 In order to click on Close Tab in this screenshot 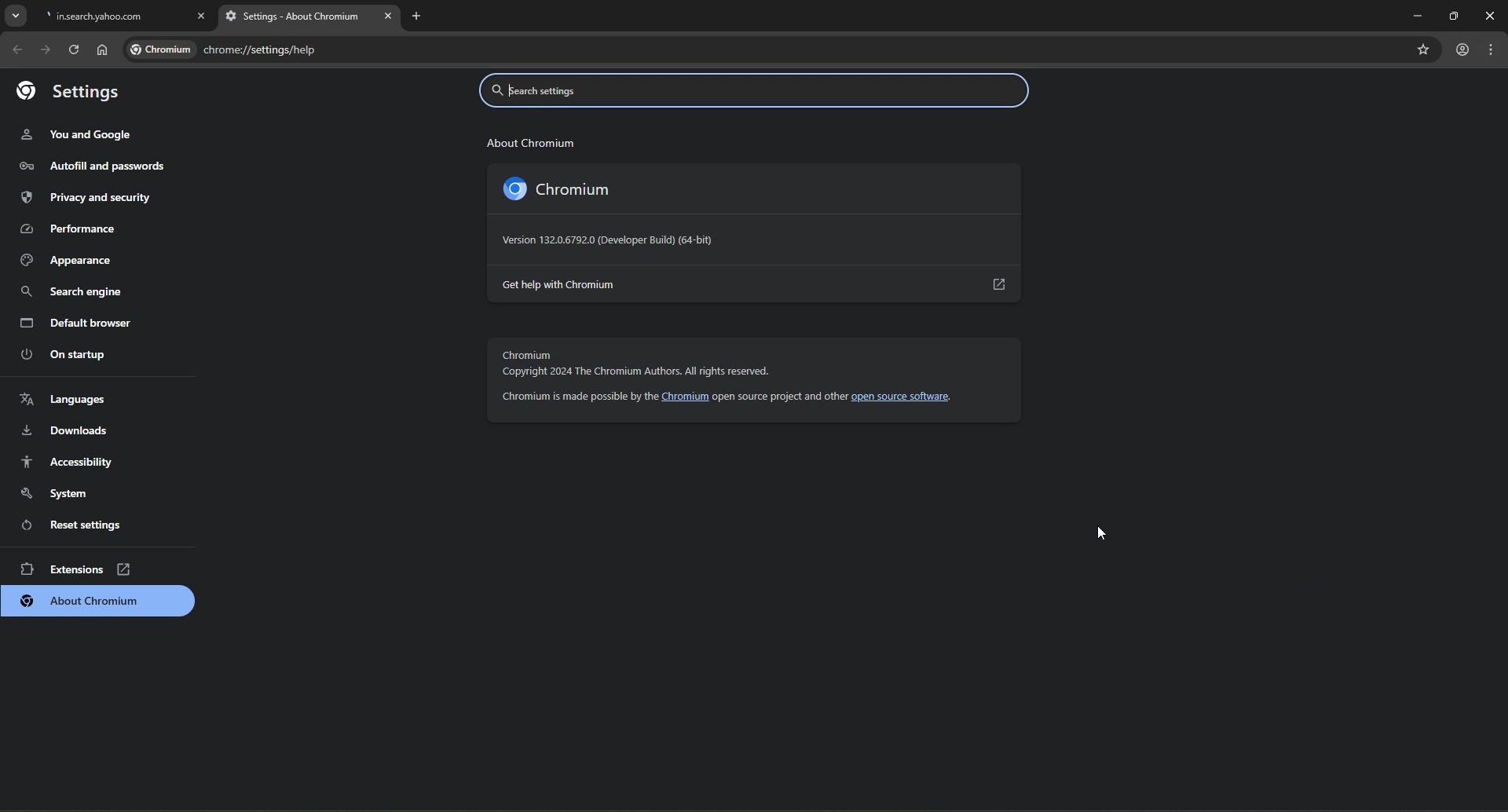, I will do `click(202, 13)`.